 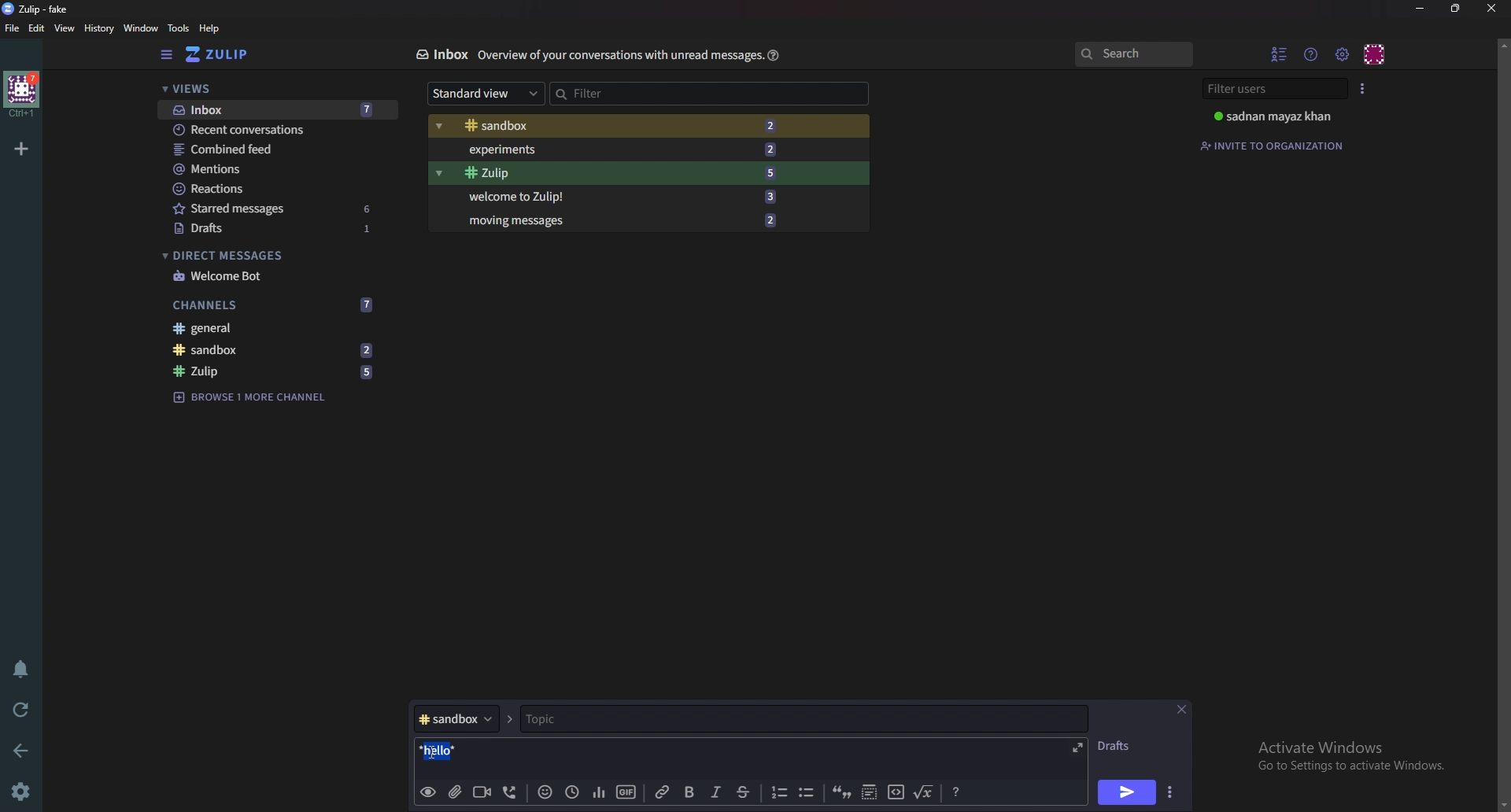 I want to click on settings, so click(x=23, y=792).